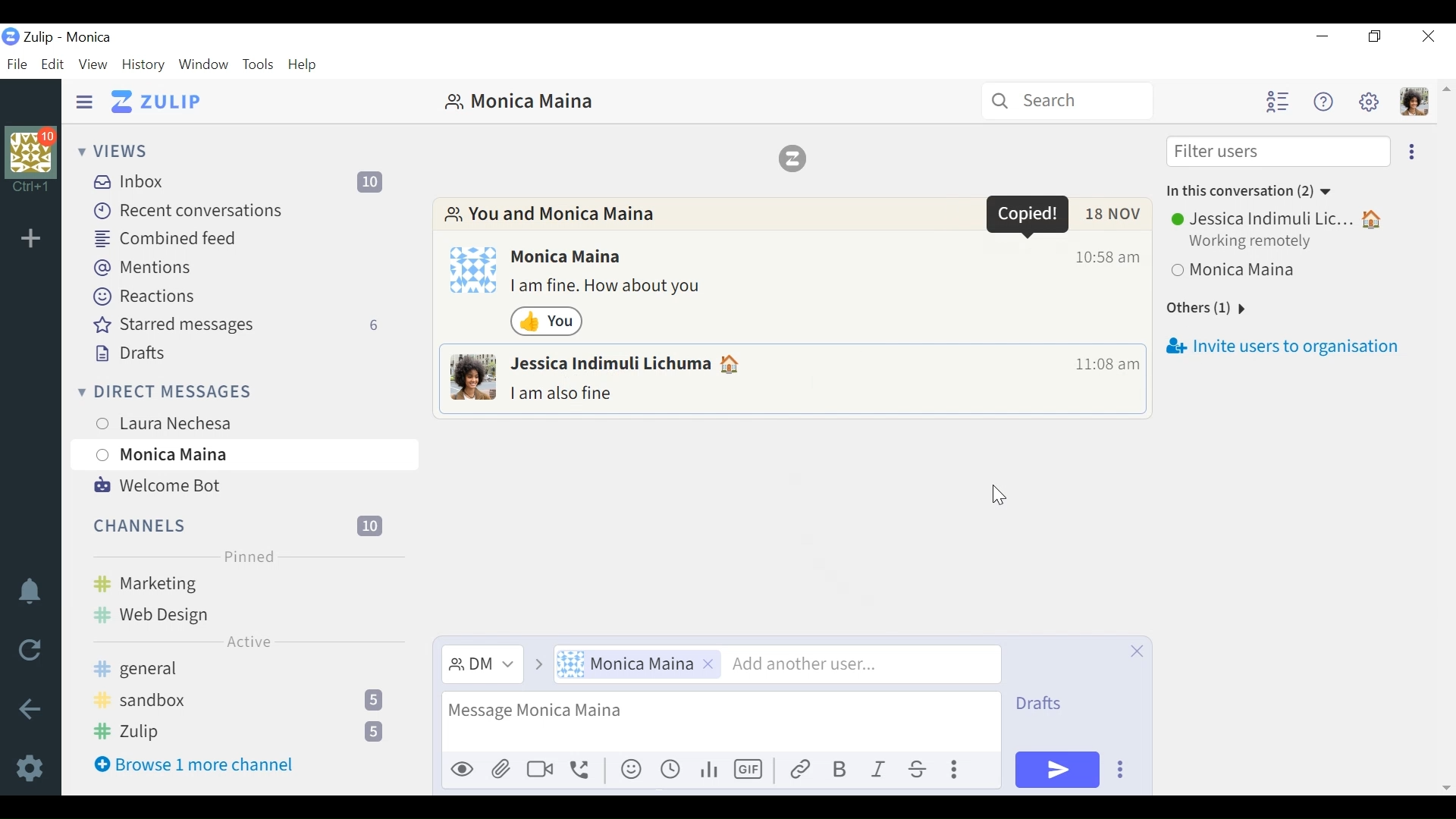 The height and width of the screenshot is (819, 1456). I want to click on Monica Maina, so click(1252, 274).